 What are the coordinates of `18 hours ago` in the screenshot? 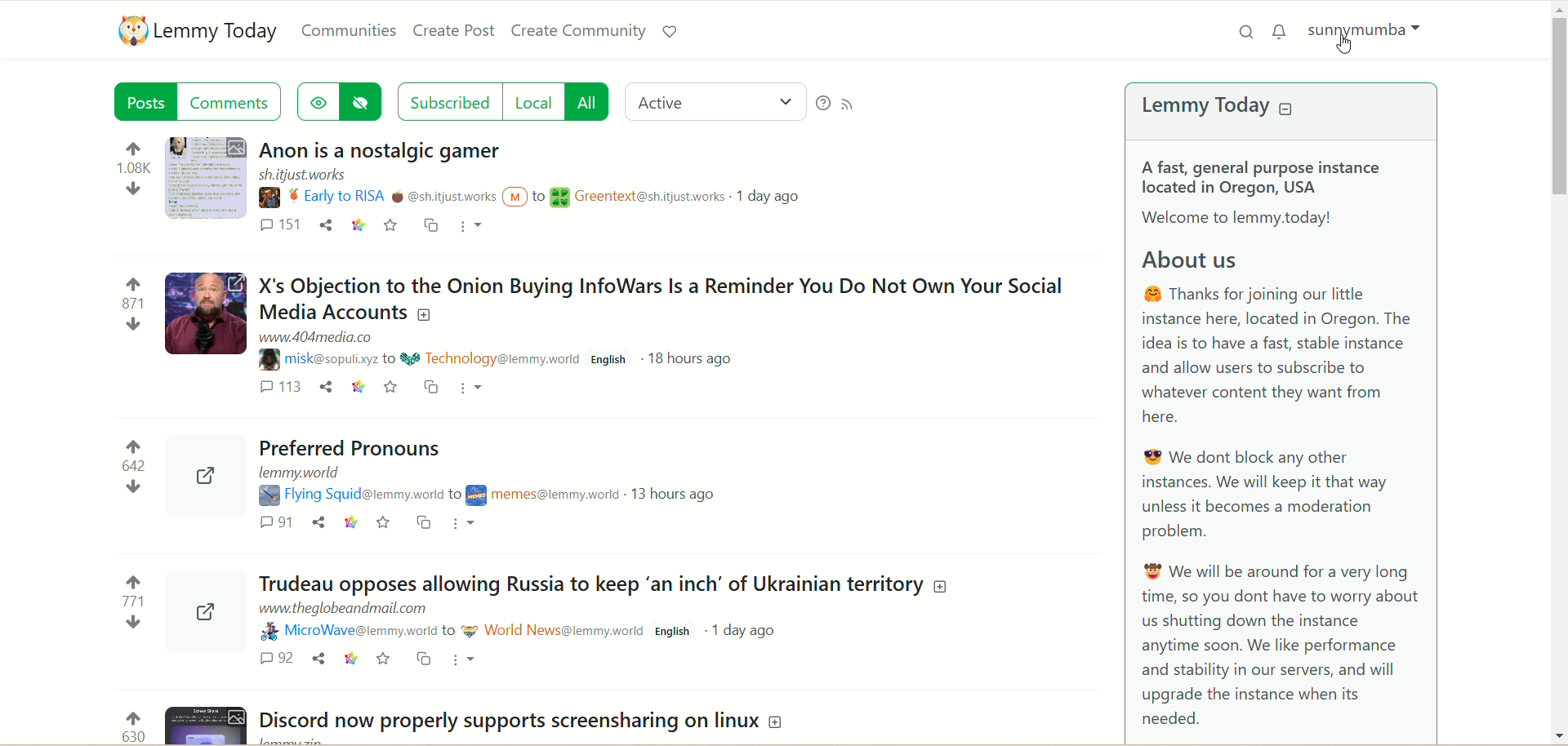 It's located at (695, 357).